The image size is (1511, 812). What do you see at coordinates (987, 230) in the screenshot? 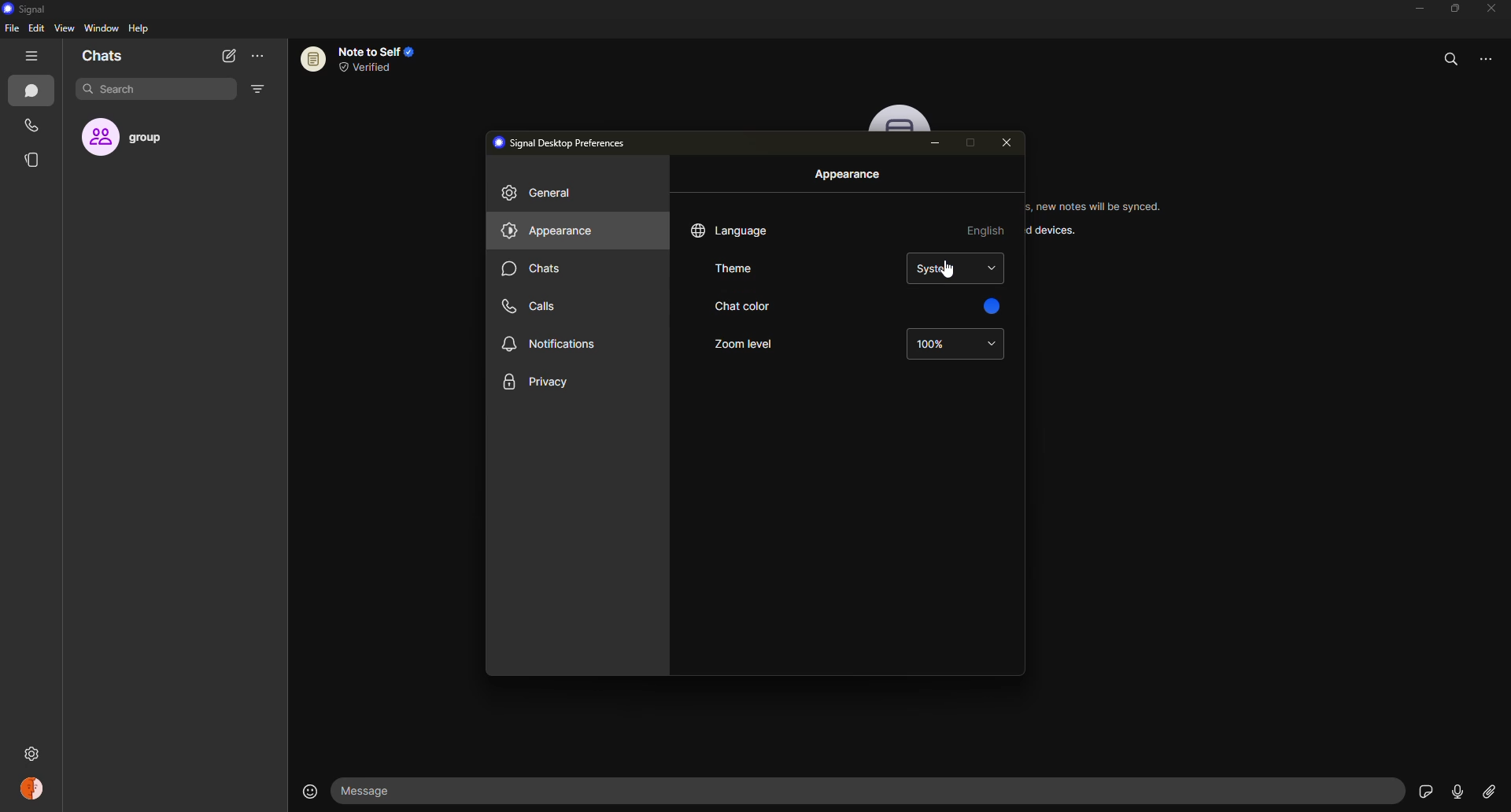
I see `english` at bounding box center [987, 230].